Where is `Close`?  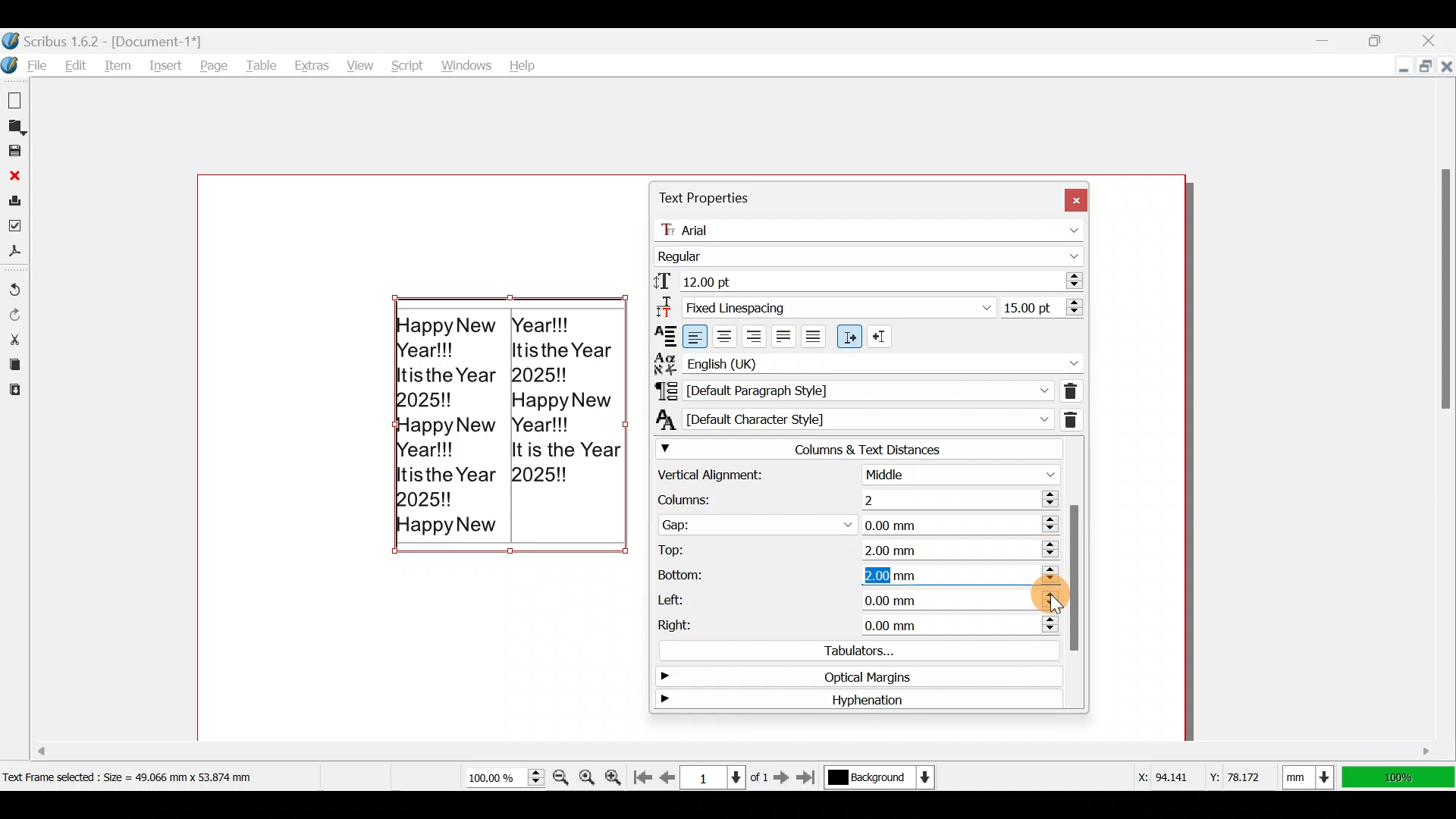
Close is located at coordinates (14, 175).